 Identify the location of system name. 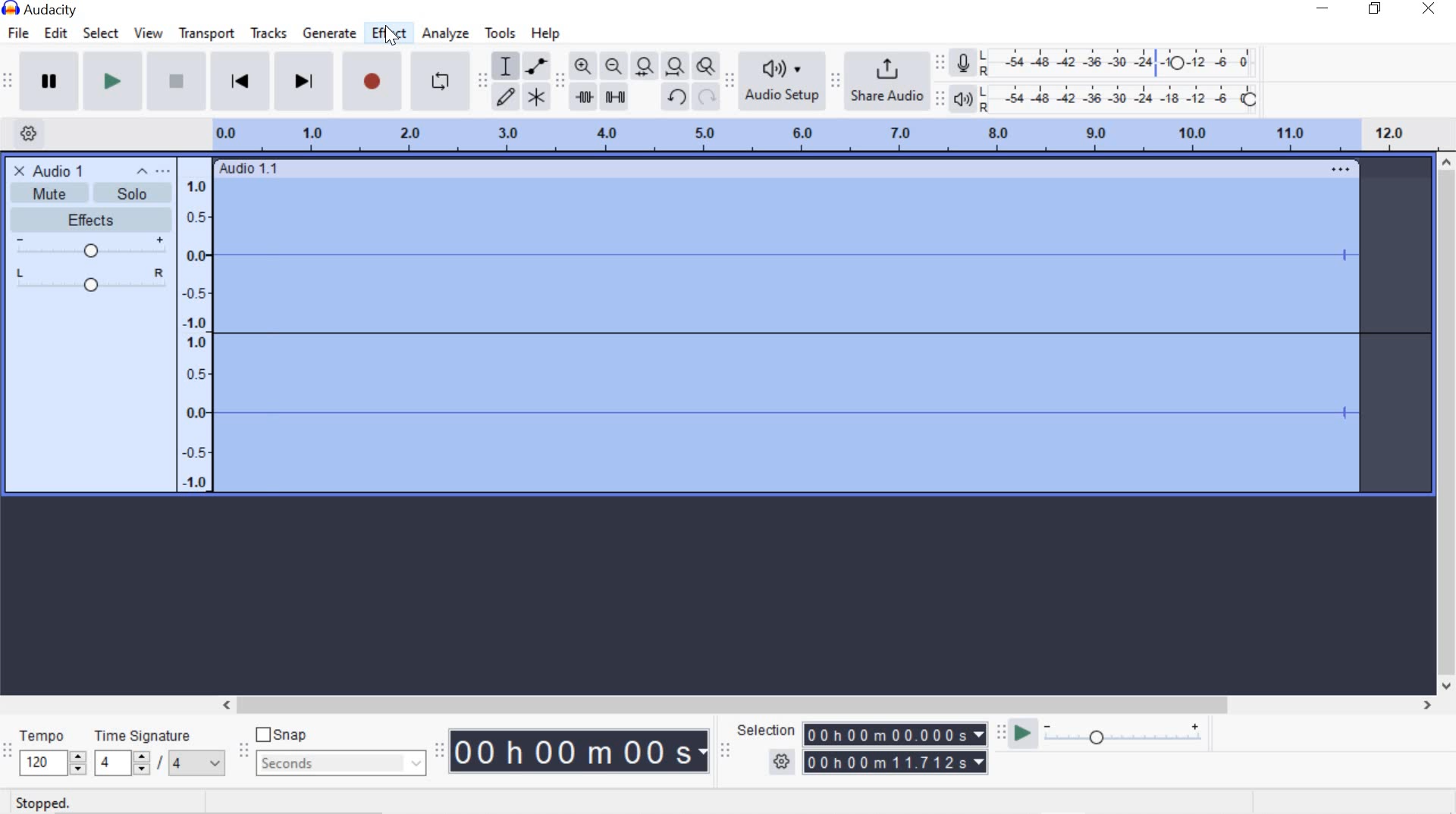
(39, 10).